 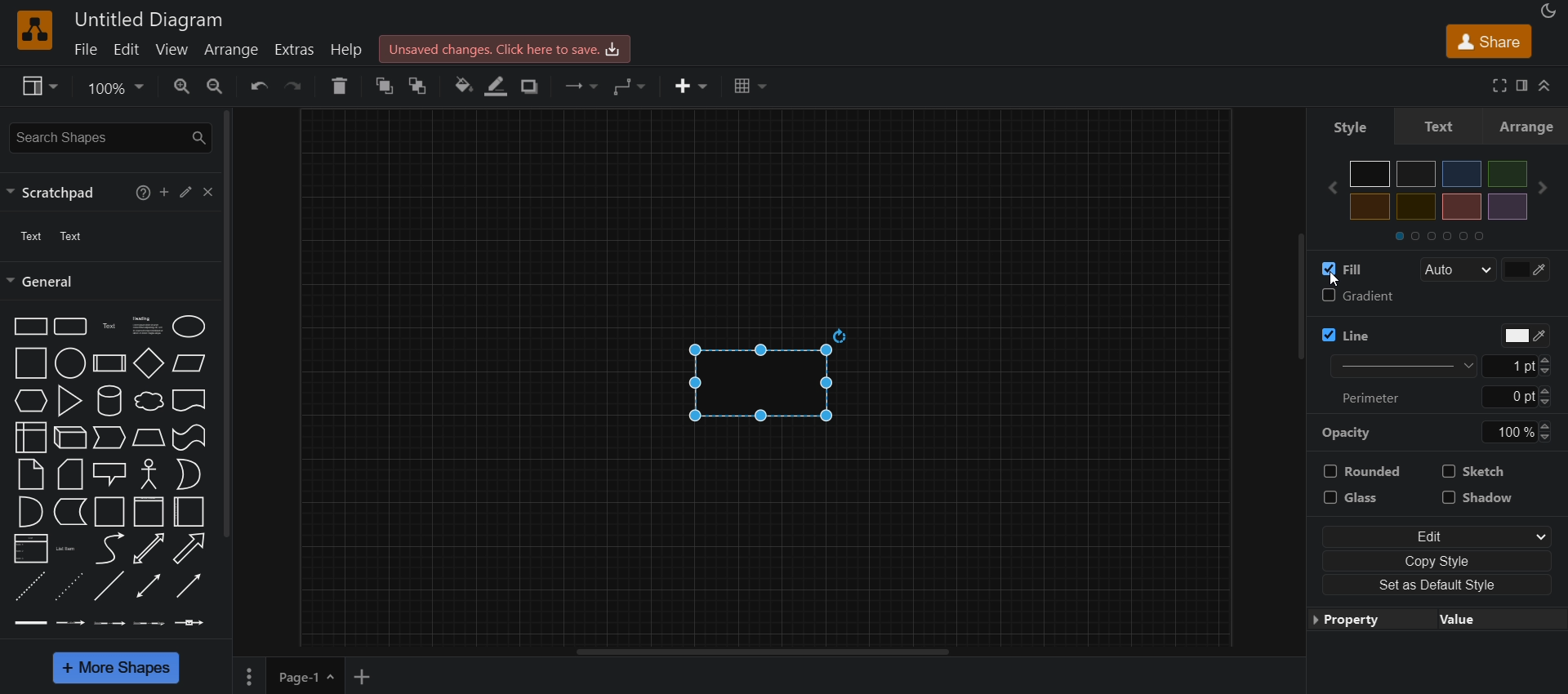 I want to click on vertical scroll bar, so click(x=233, y=324).